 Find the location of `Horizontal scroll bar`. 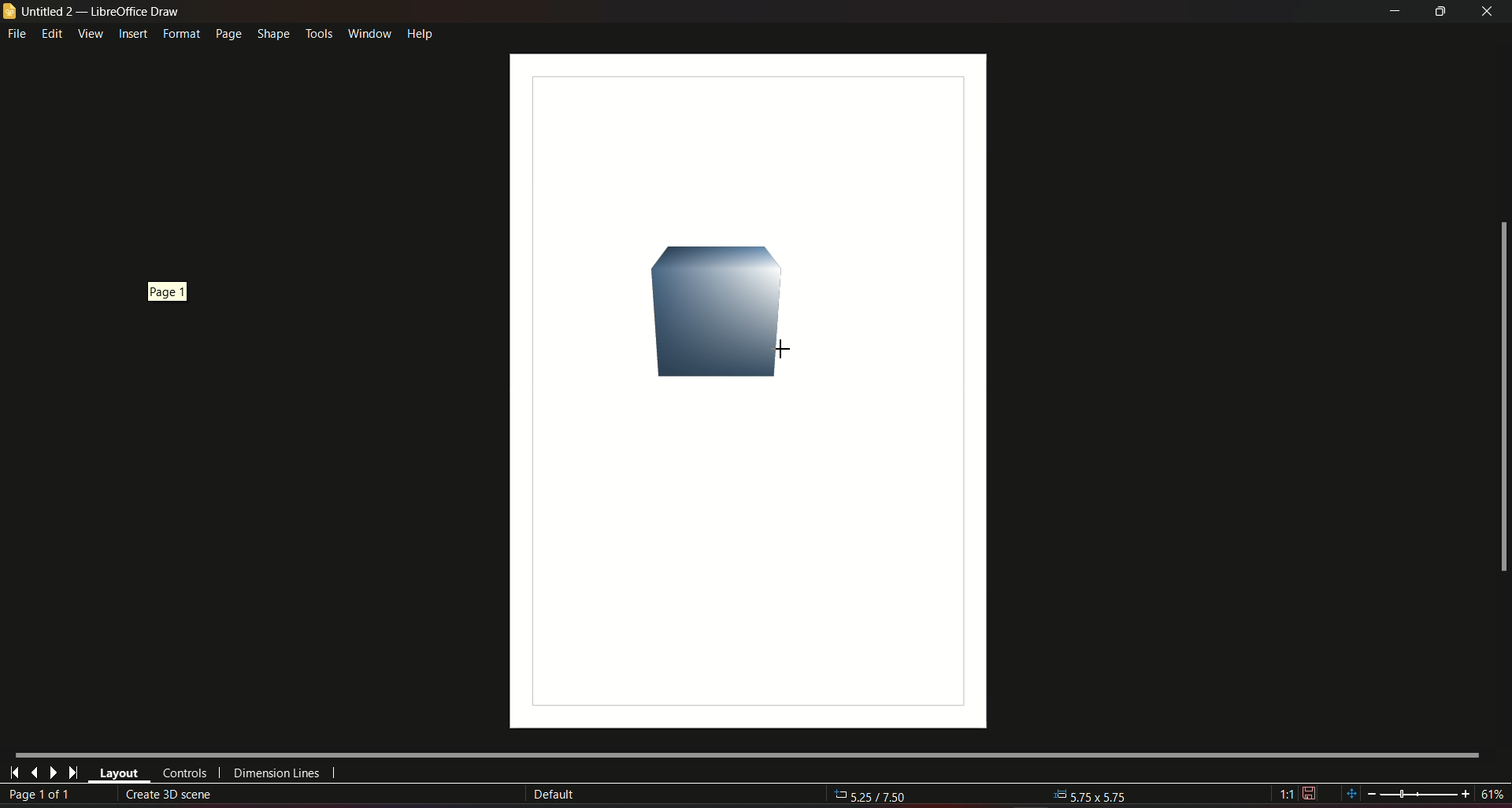

Horizontal scroll bar is located at coordinates (746, 753).